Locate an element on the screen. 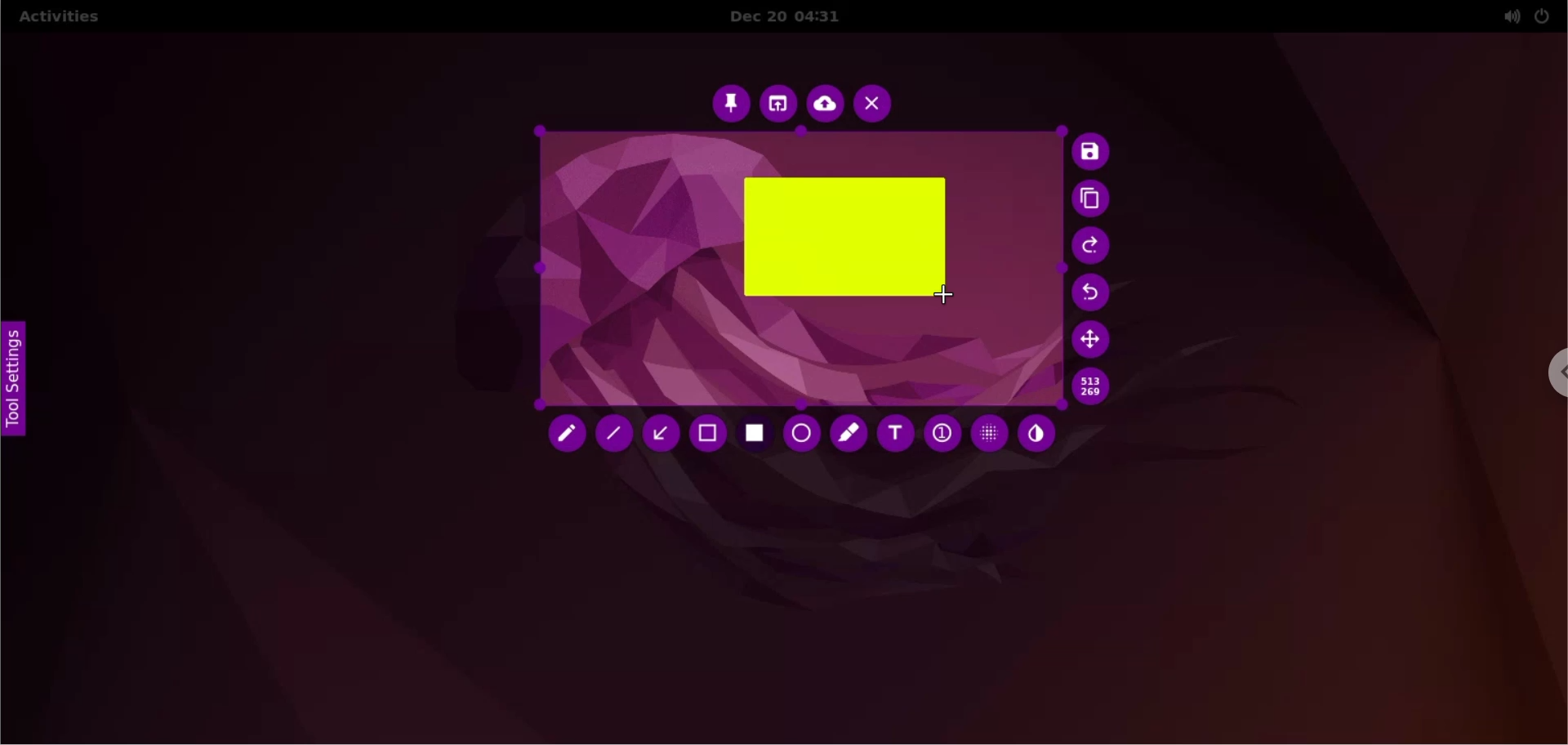  cancel capture is located at coordinates (875, 103).